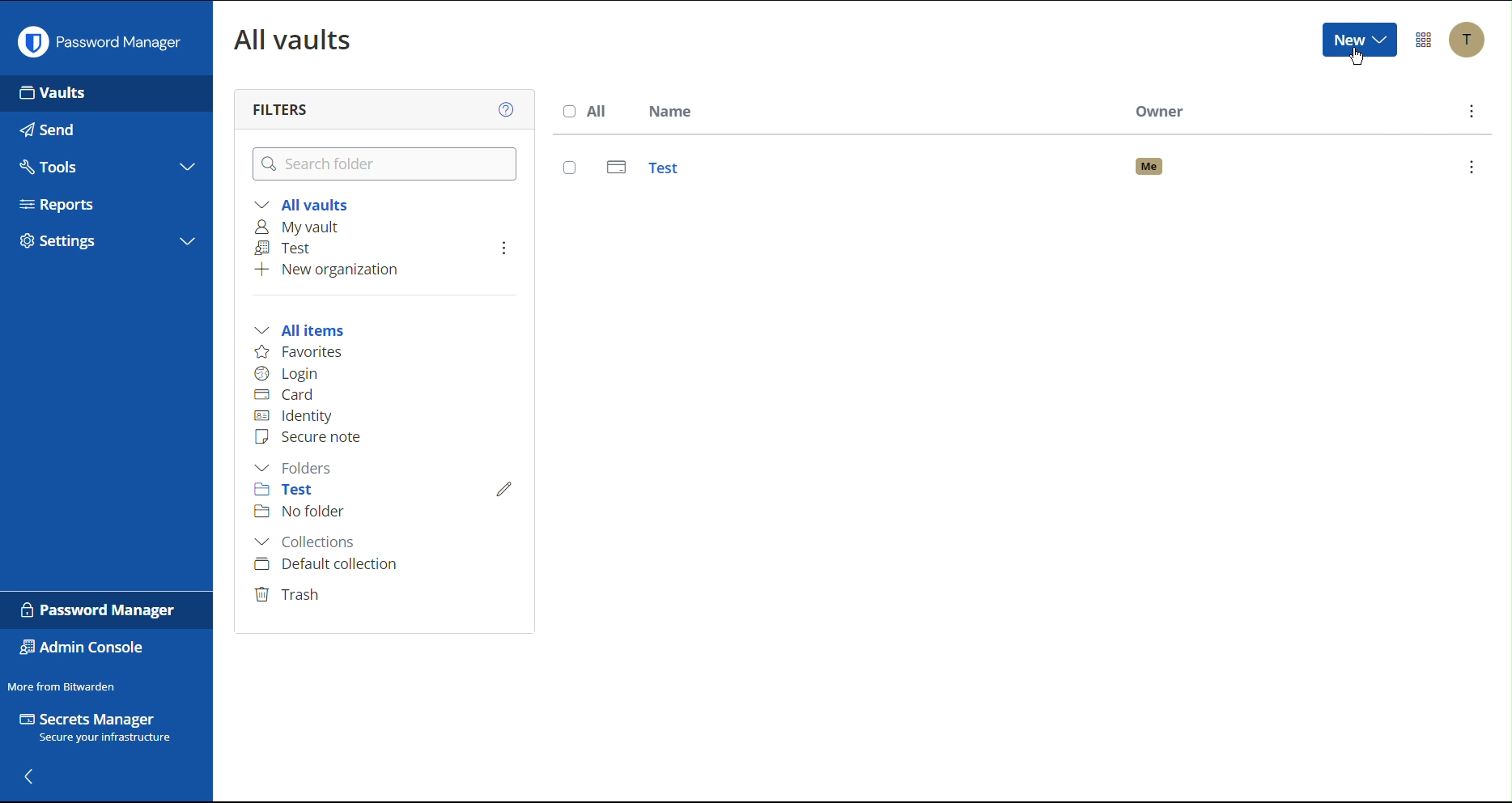 The height and width of the screenshot is (803, 1512). What do you see at coordinates (100, 610) in the screenshot?
I see `Password Manager` at bounding box center [100, 610].